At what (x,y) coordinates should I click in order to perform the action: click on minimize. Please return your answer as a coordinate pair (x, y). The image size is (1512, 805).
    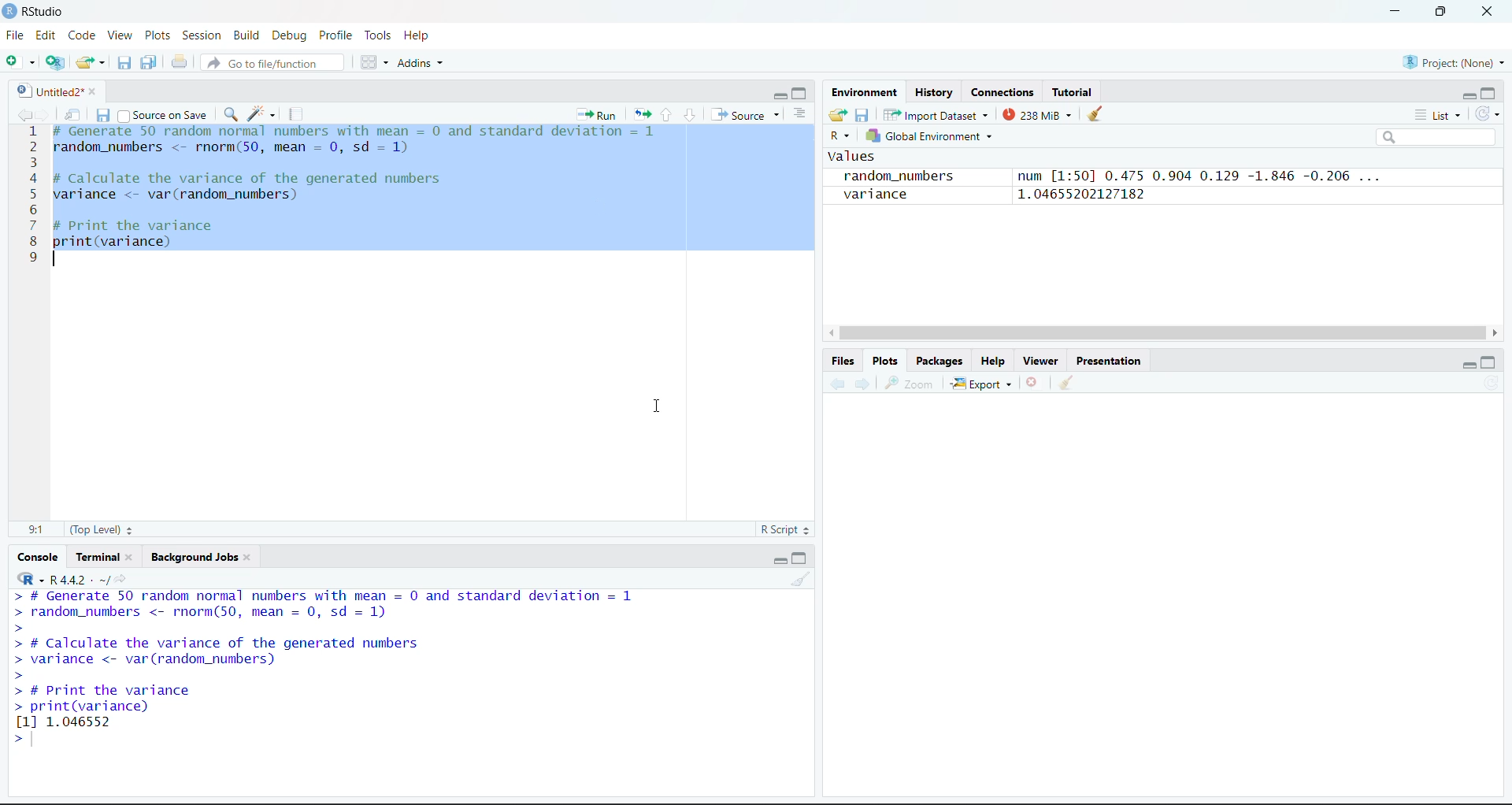
    Looking at the image, I should click on (1395, 12).